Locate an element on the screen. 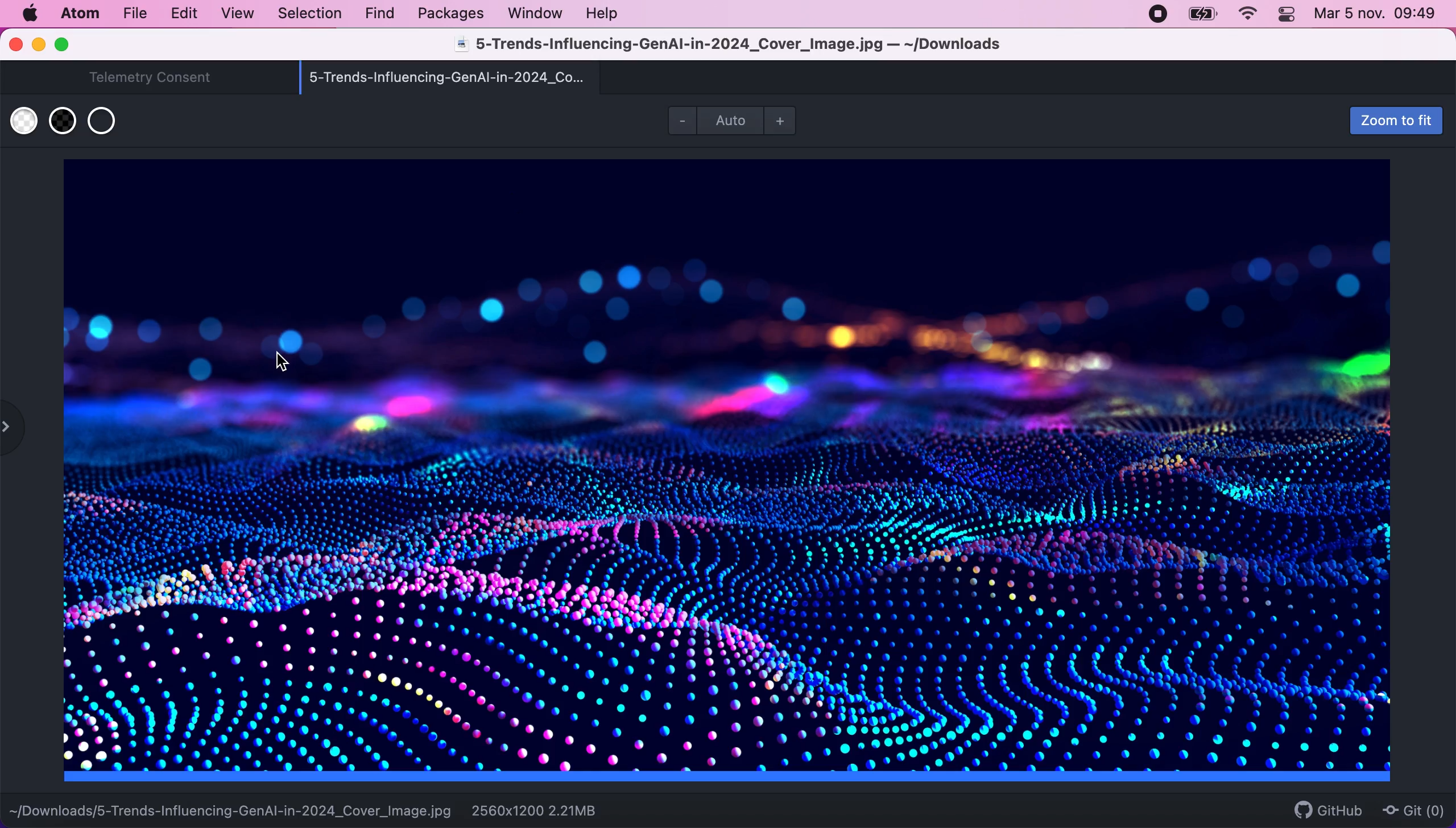  wifi is located at coordinates (1248, 16).